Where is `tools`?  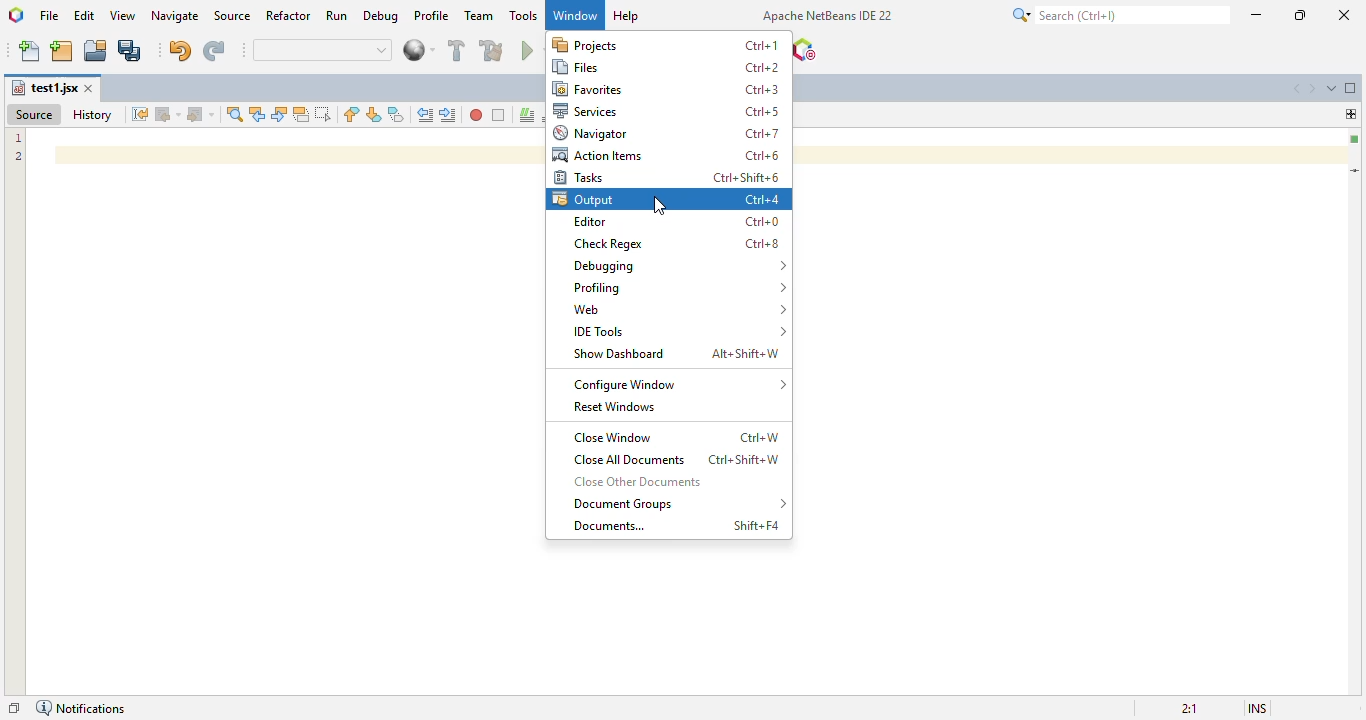 tools is located at coordinates (524, 15).